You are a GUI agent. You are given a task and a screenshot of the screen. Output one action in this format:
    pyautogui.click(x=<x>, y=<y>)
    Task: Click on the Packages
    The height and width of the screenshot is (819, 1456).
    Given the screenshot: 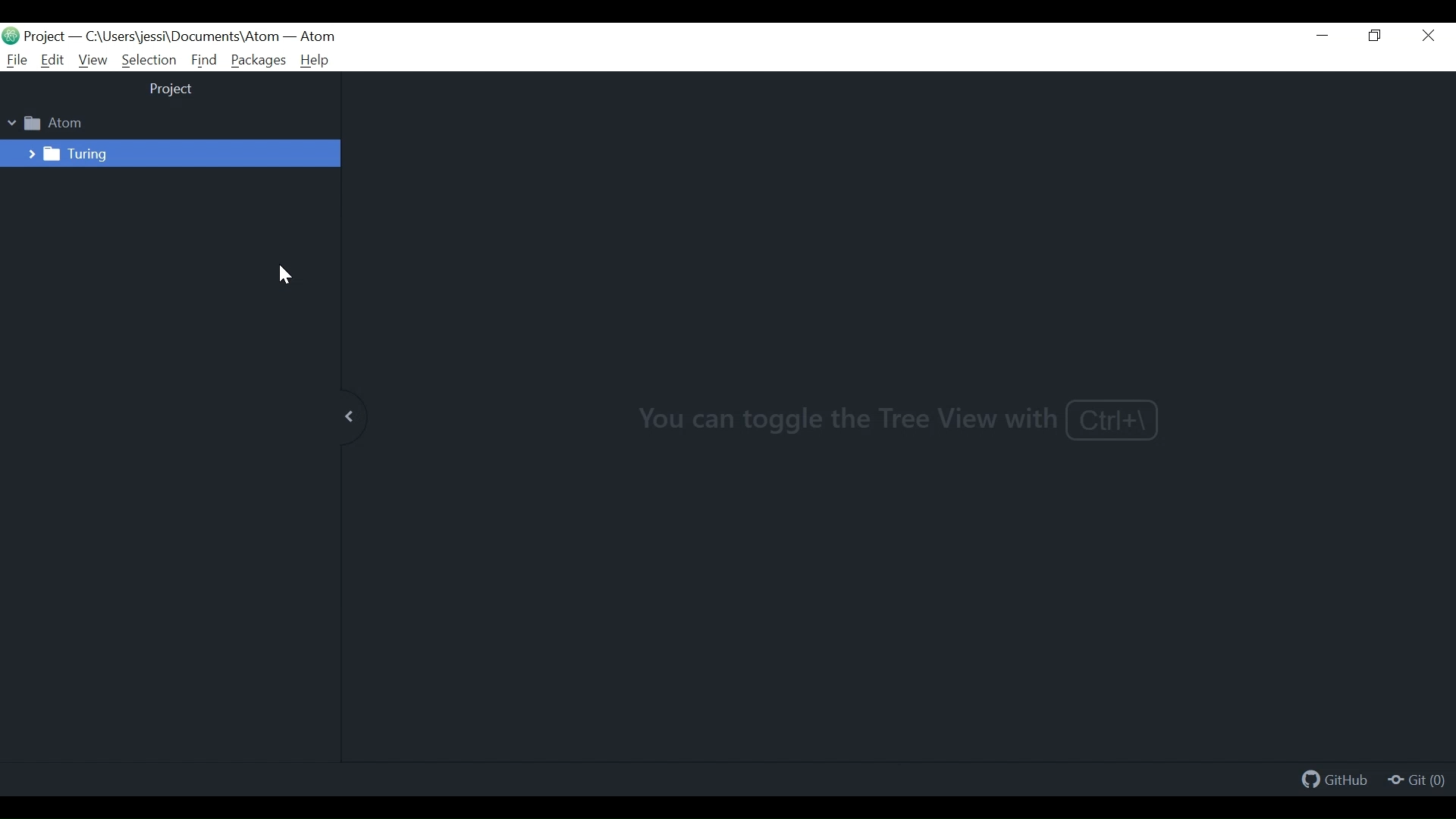 What is the action you would take?
    pyautogui.click(x=259, y=60)
    